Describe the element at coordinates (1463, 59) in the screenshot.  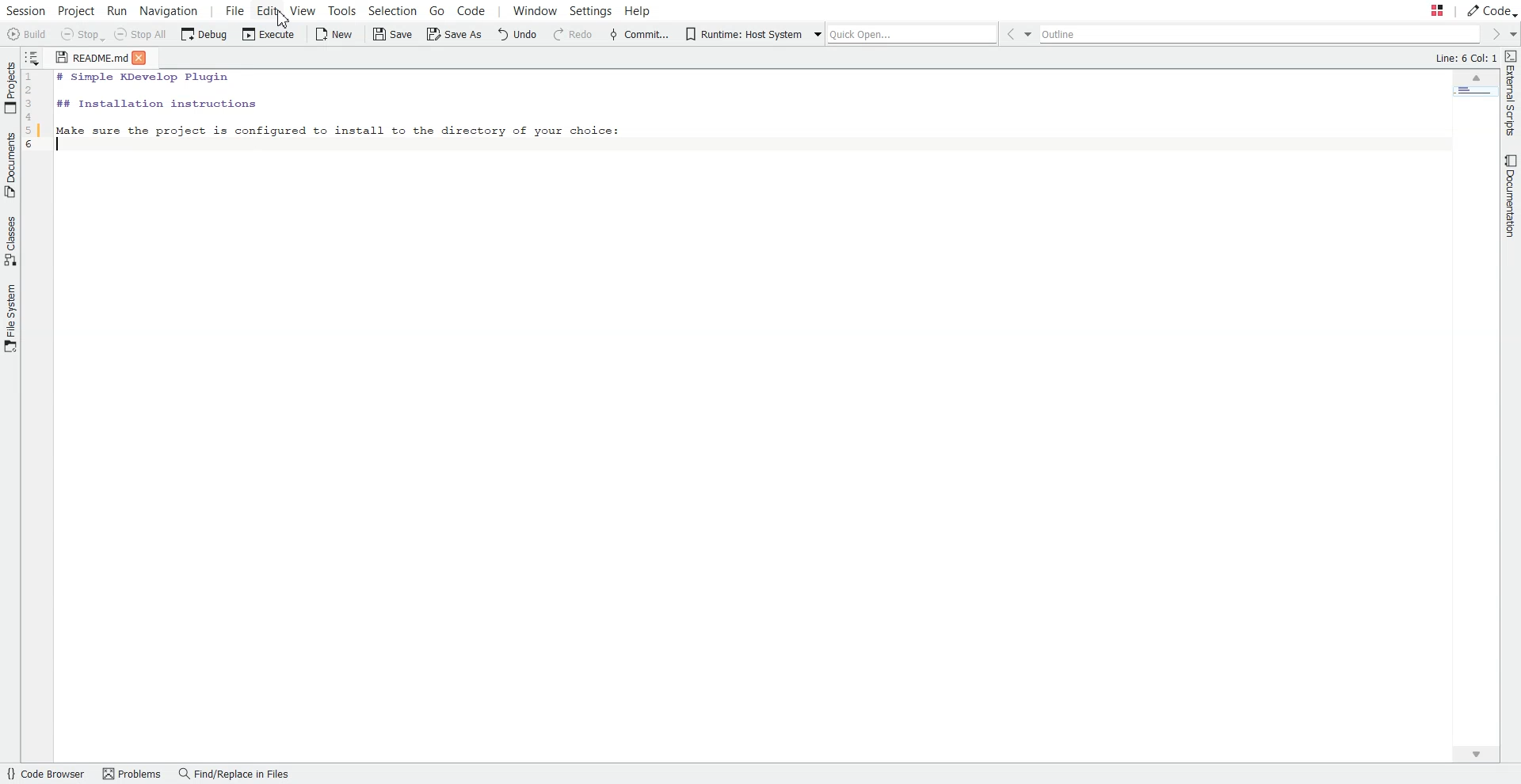
I see `Line:6 Col:1` at that location.